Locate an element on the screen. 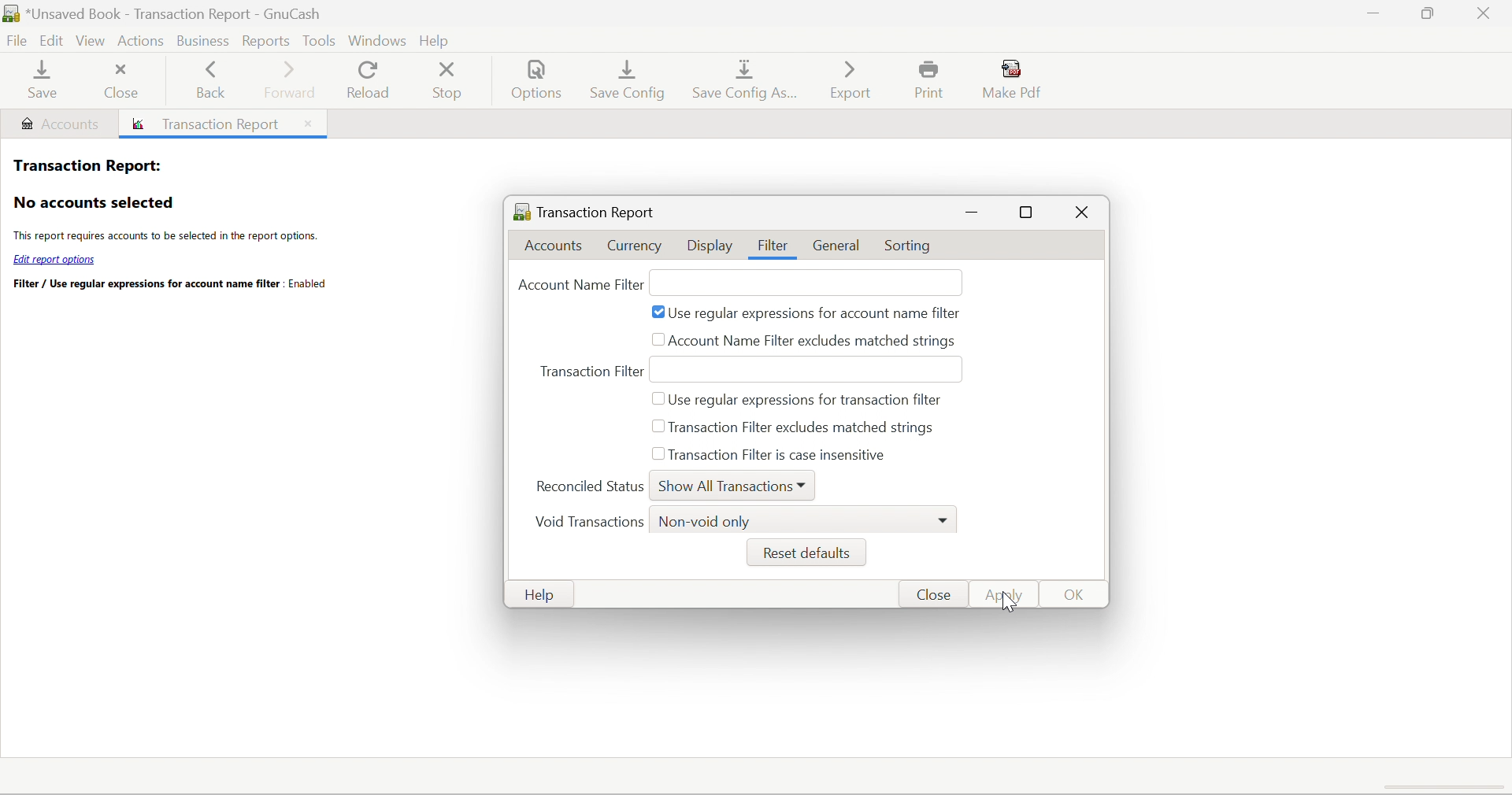 This screenshot has width=1512, height=795. Display is located at coordinates (710, 247).